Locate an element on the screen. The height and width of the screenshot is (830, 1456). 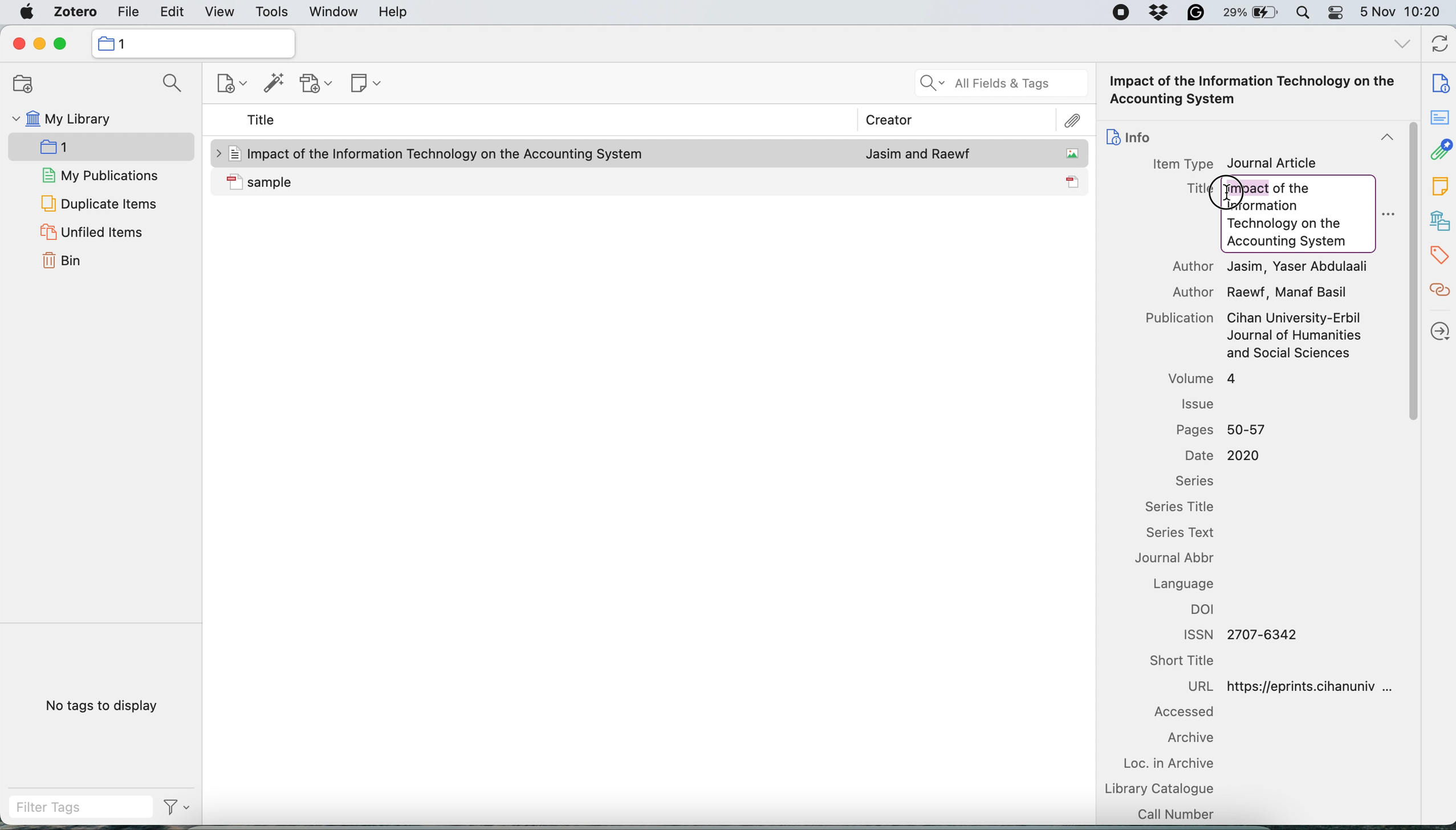
Impact of the Information Technology on the Accounting System is located at coordinates (1254, 91).